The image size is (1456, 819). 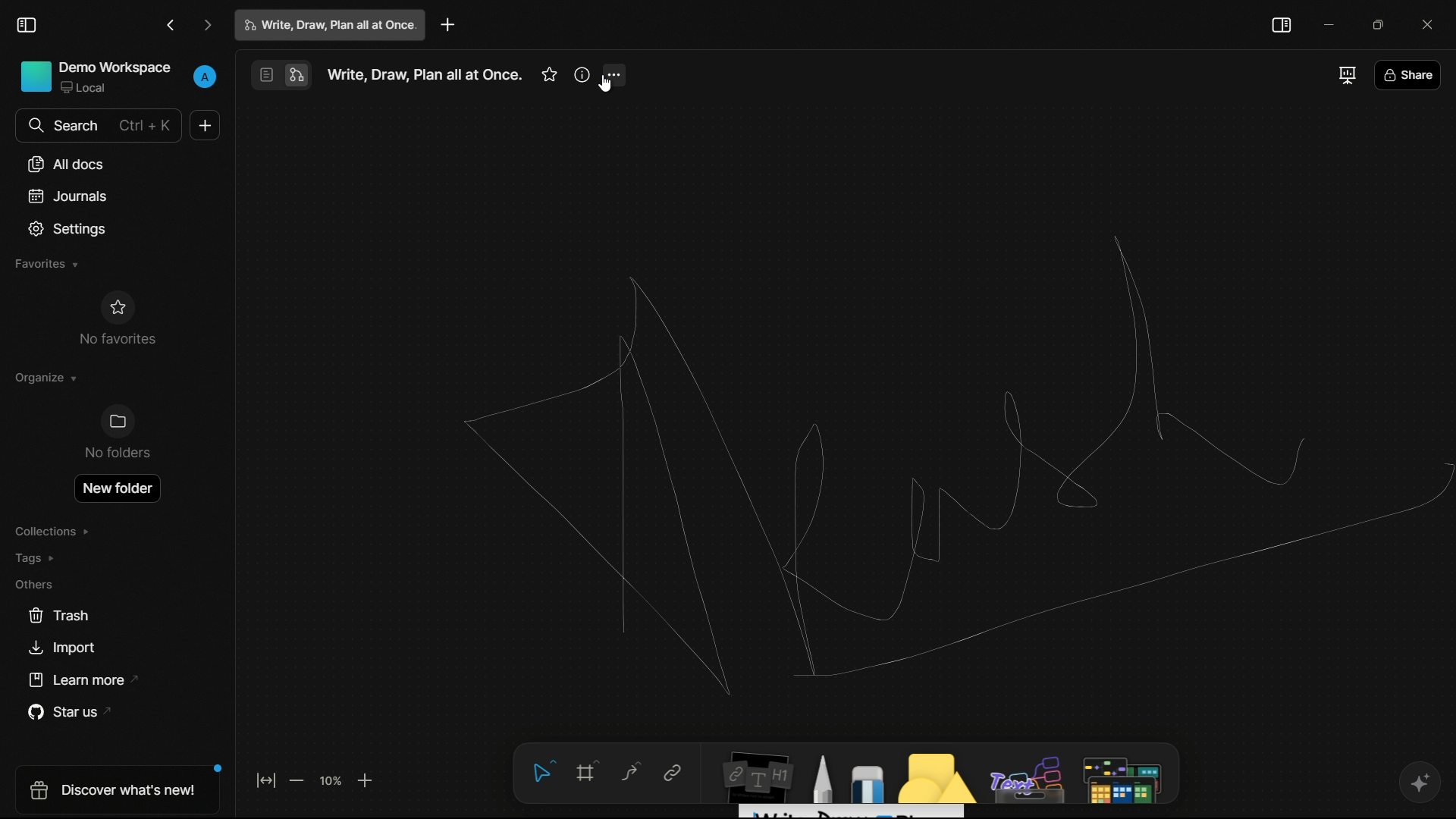 I want to click on map, so click(x=1123, y=777).